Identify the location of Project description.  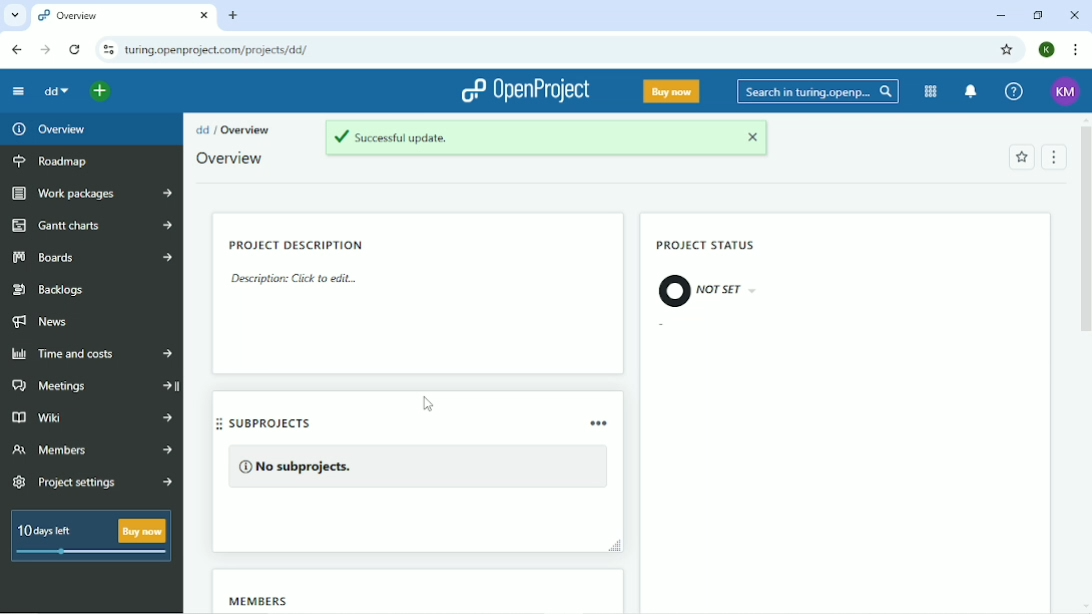
(296, 245).